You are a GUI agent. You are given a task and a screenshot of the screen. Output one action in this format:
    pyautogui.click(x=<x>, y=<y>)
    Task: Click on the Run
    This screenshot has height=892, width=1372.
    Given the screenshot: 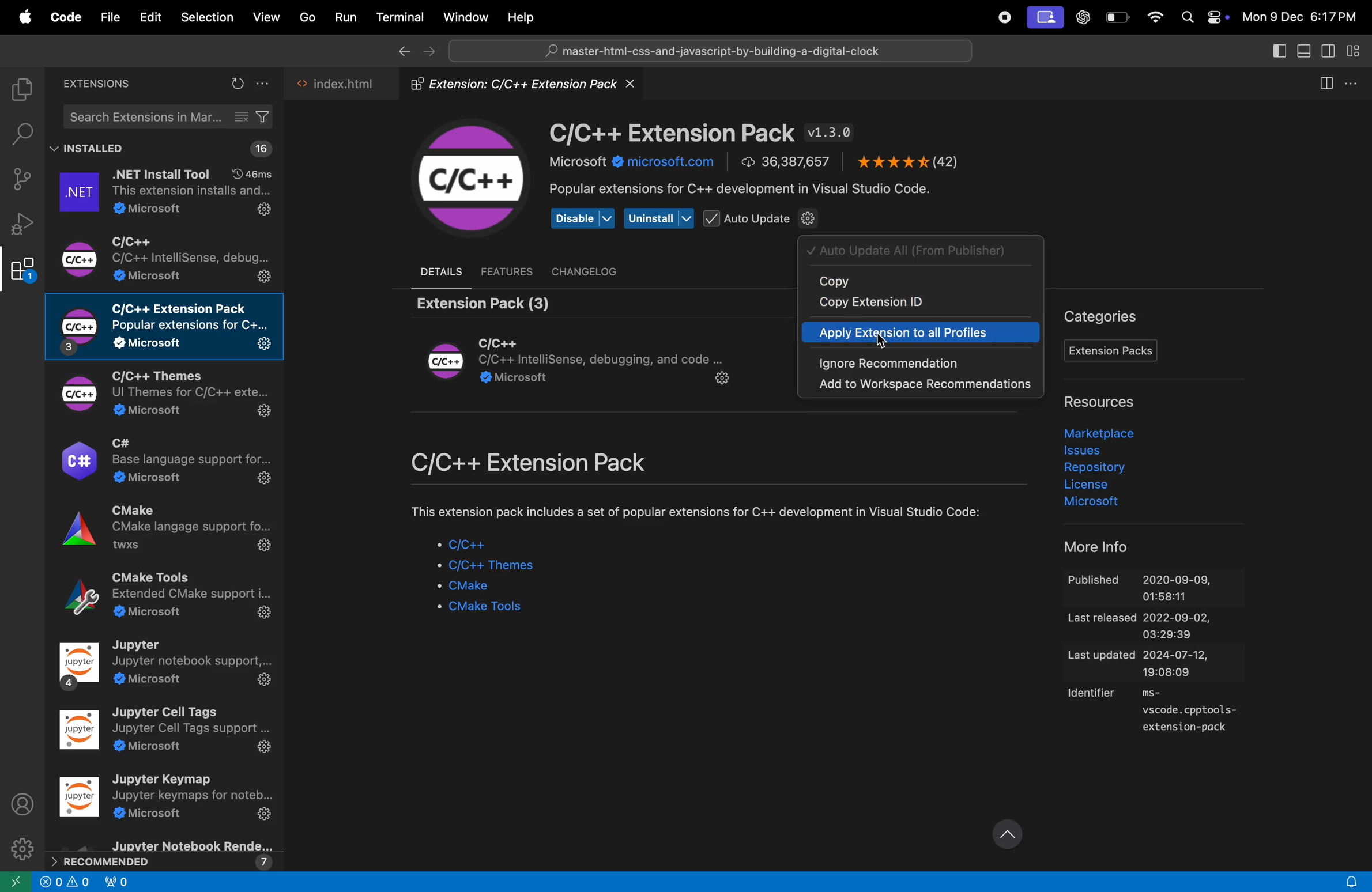 What is the action you would take?
    pyautogui.click(x=346, y=17)
    